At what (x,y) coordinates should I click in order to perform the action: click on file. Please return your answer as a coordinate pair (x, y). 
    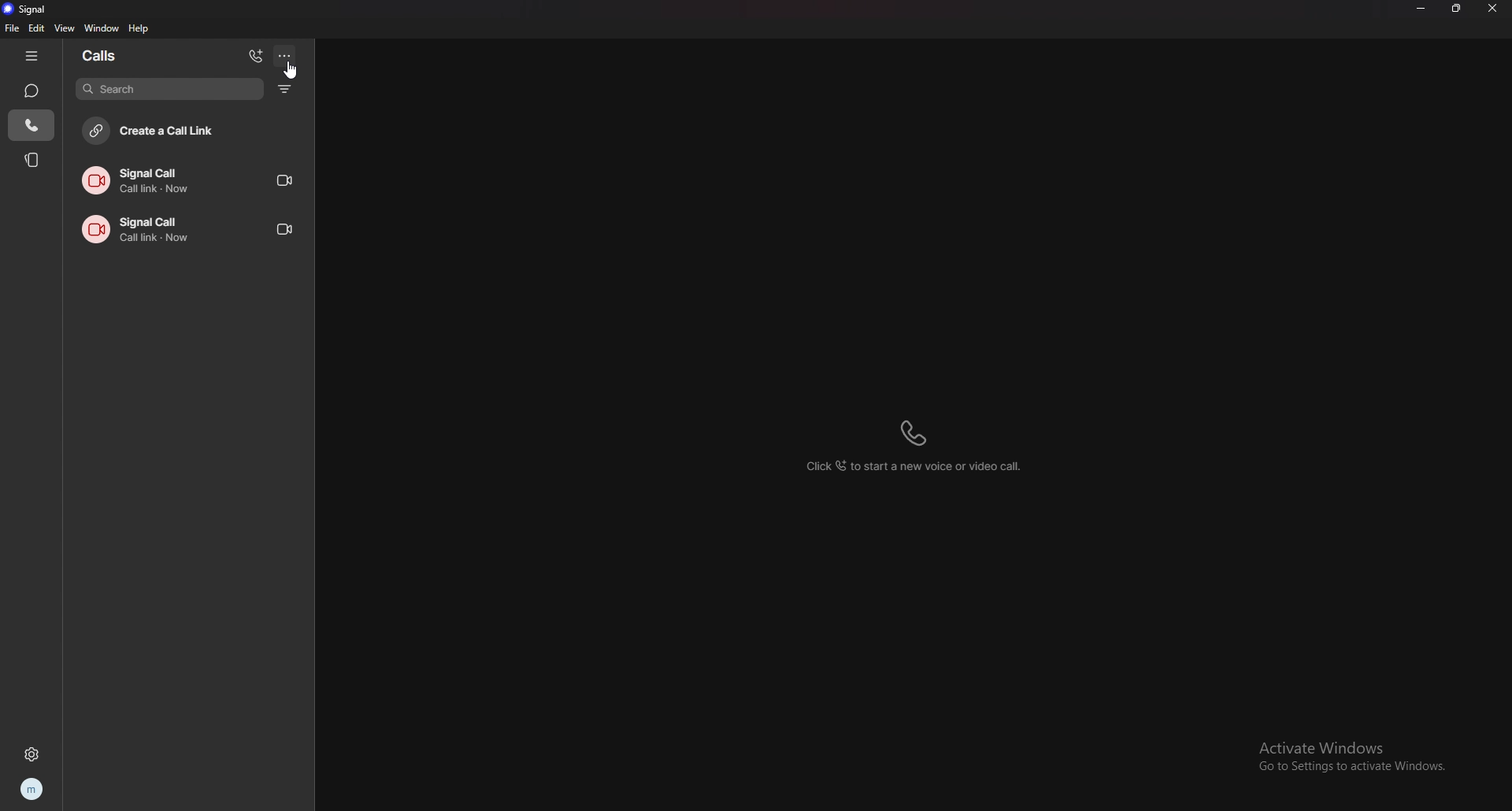
    Looking at the image, I should click on (13, 28).